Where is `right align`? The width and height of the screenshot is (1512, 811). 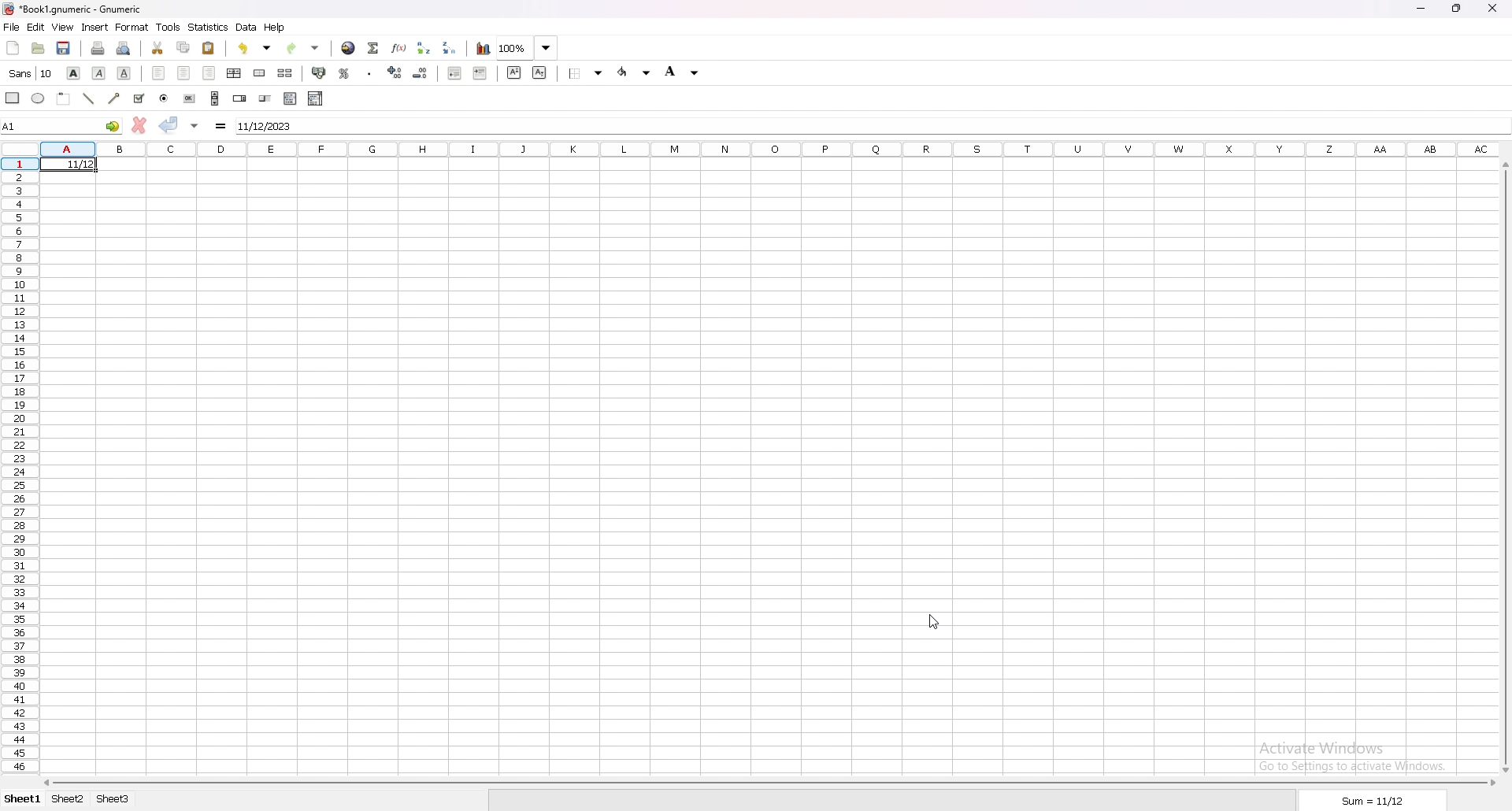 right align is located at coordinates (209, 73).